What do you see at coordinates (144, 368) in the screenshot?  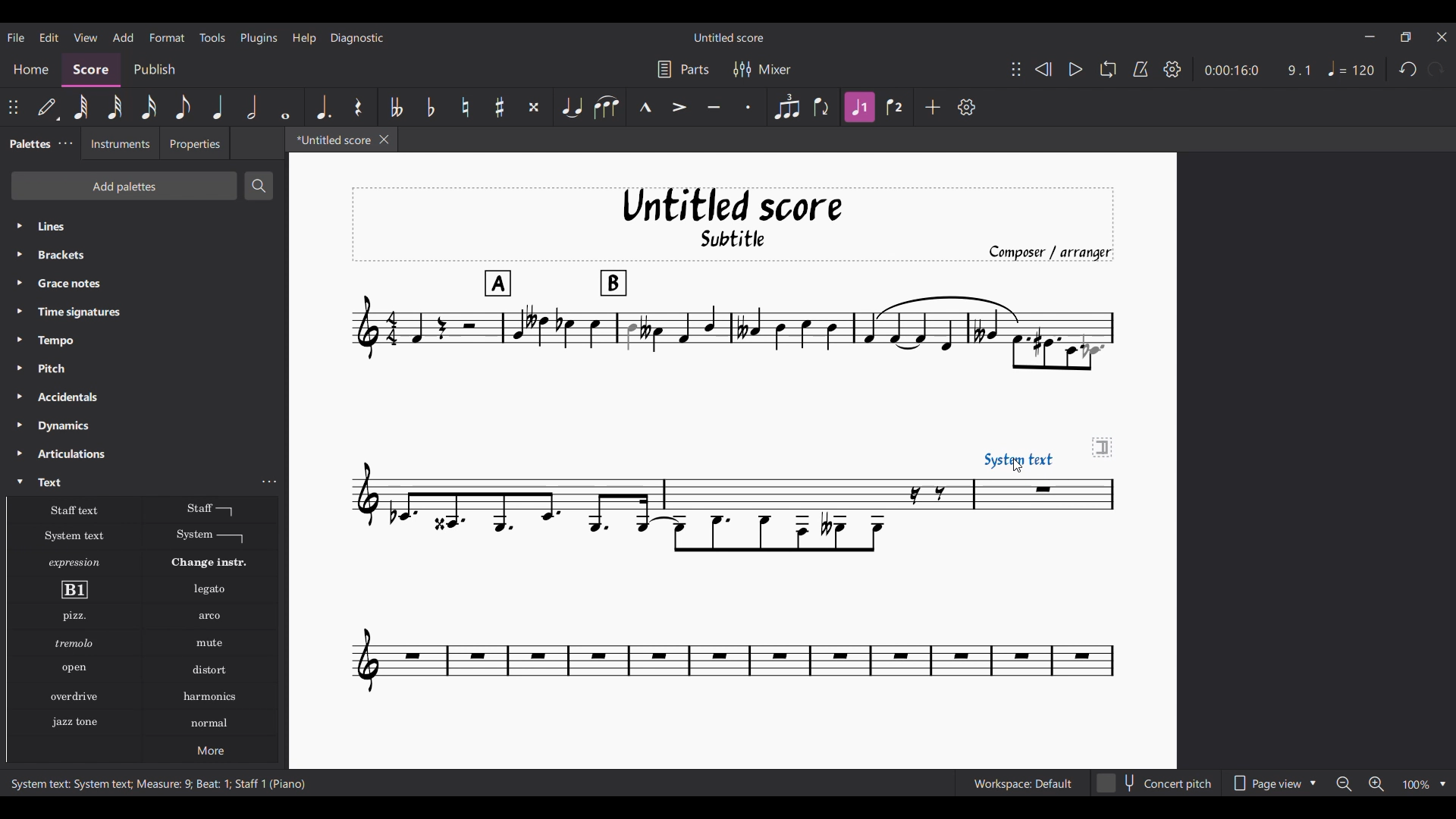 I see `Pitch` at bounding box center [144, 368].